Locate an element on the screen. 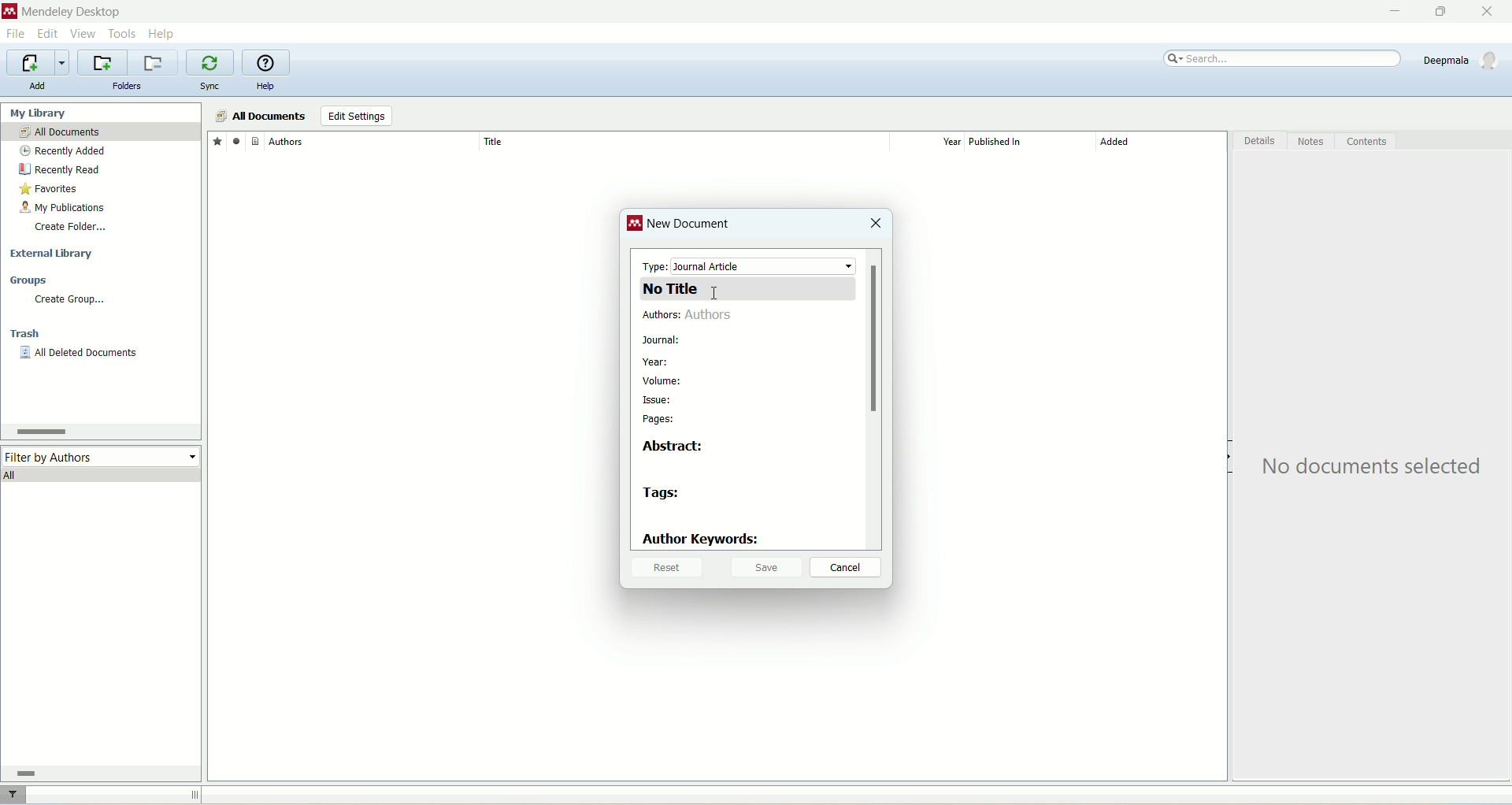 Image resolution: width=1512 pixels, height=805 pixels. reset is located at coordinates (665, 569).